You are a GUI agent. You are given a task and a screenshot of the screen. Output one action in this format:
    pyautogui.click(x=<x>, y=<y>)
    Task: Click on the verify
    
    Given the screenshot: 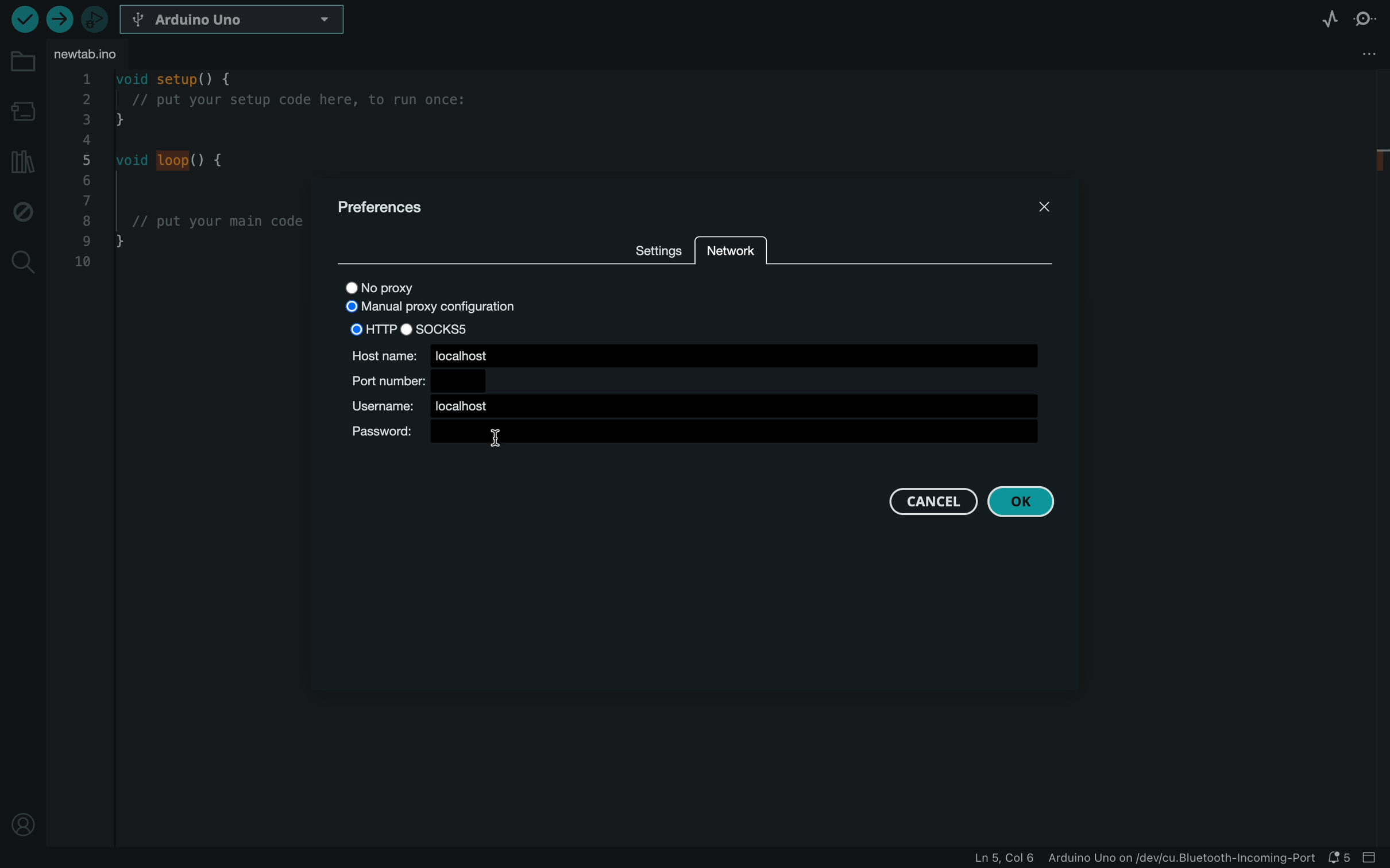 What is the action you would take?
    pyautogui.click(x=24, y=19)
    